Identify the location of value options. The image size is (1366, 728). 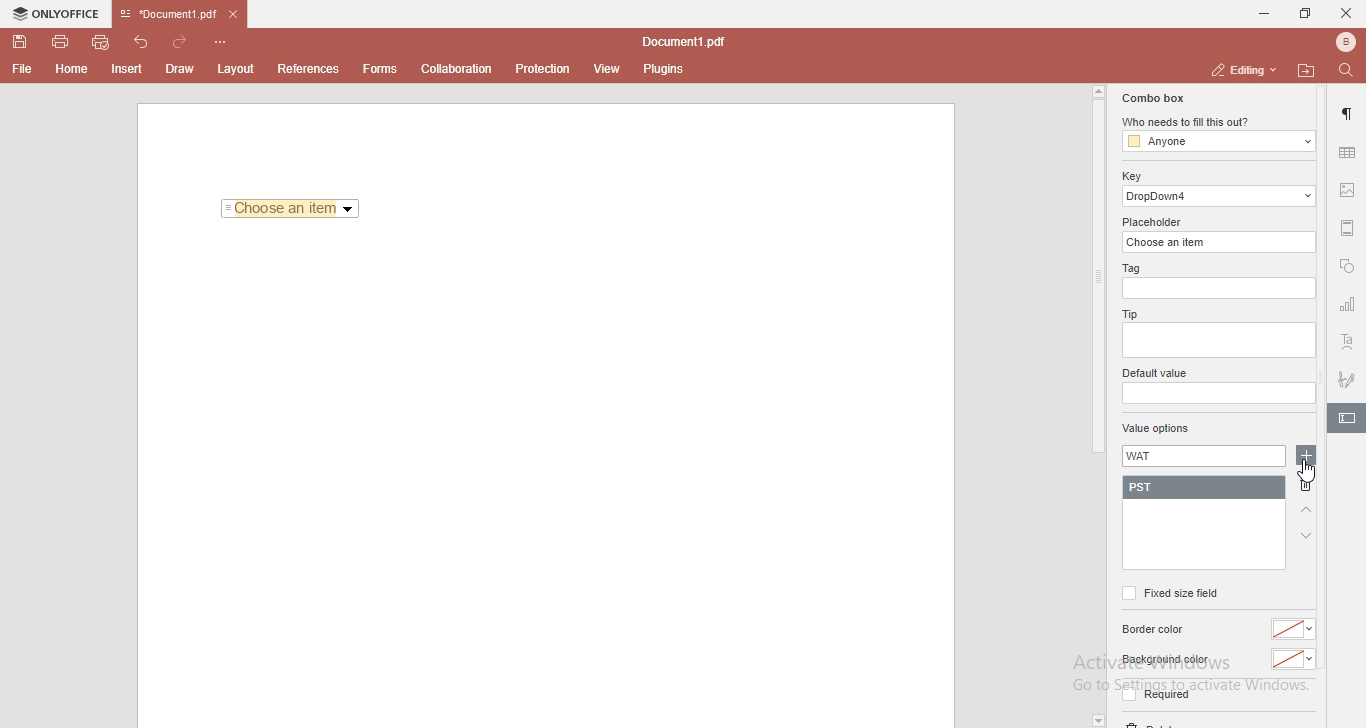
(1156, 430).